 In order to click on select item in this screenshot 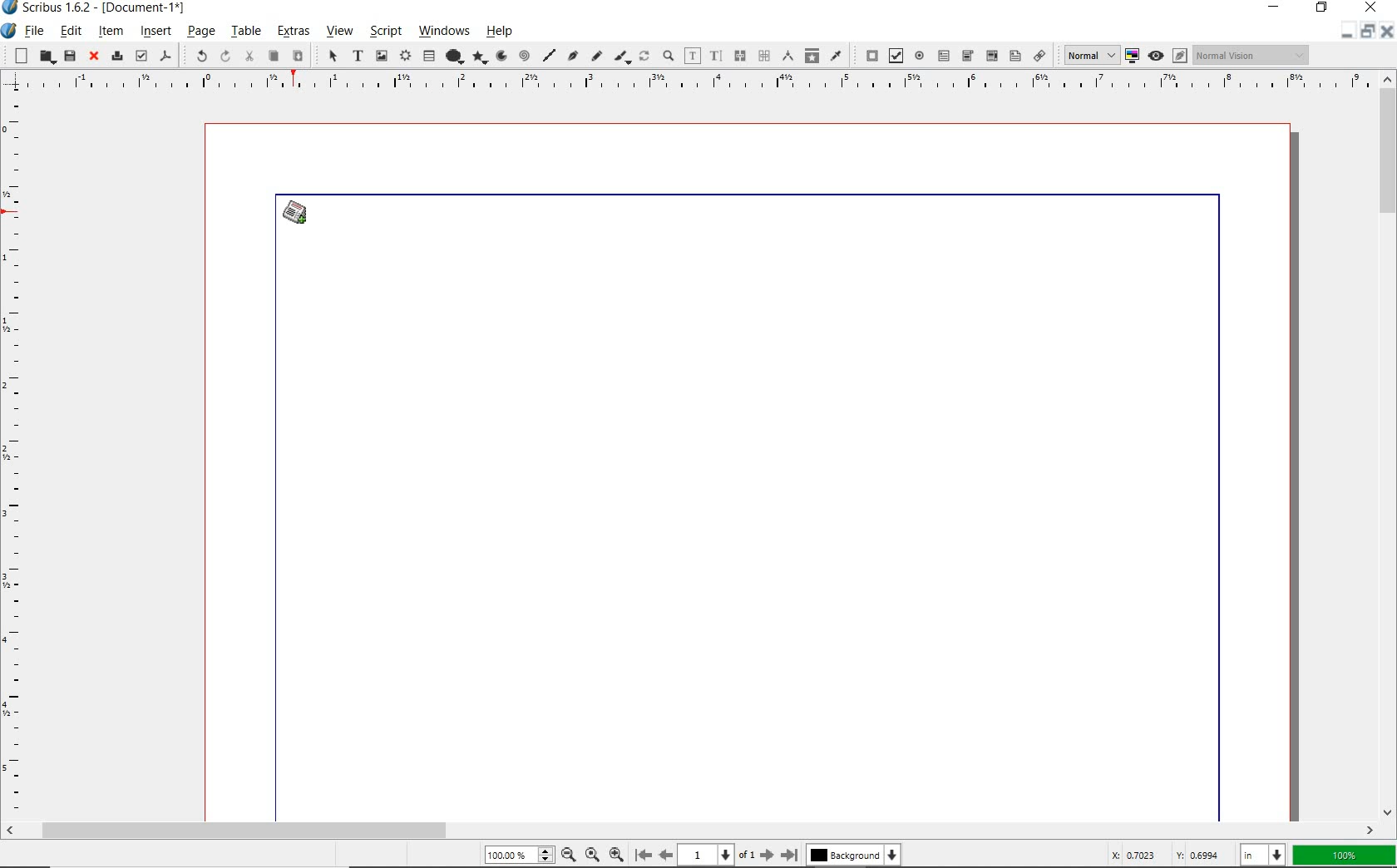, I will do `click(329, 56)`.